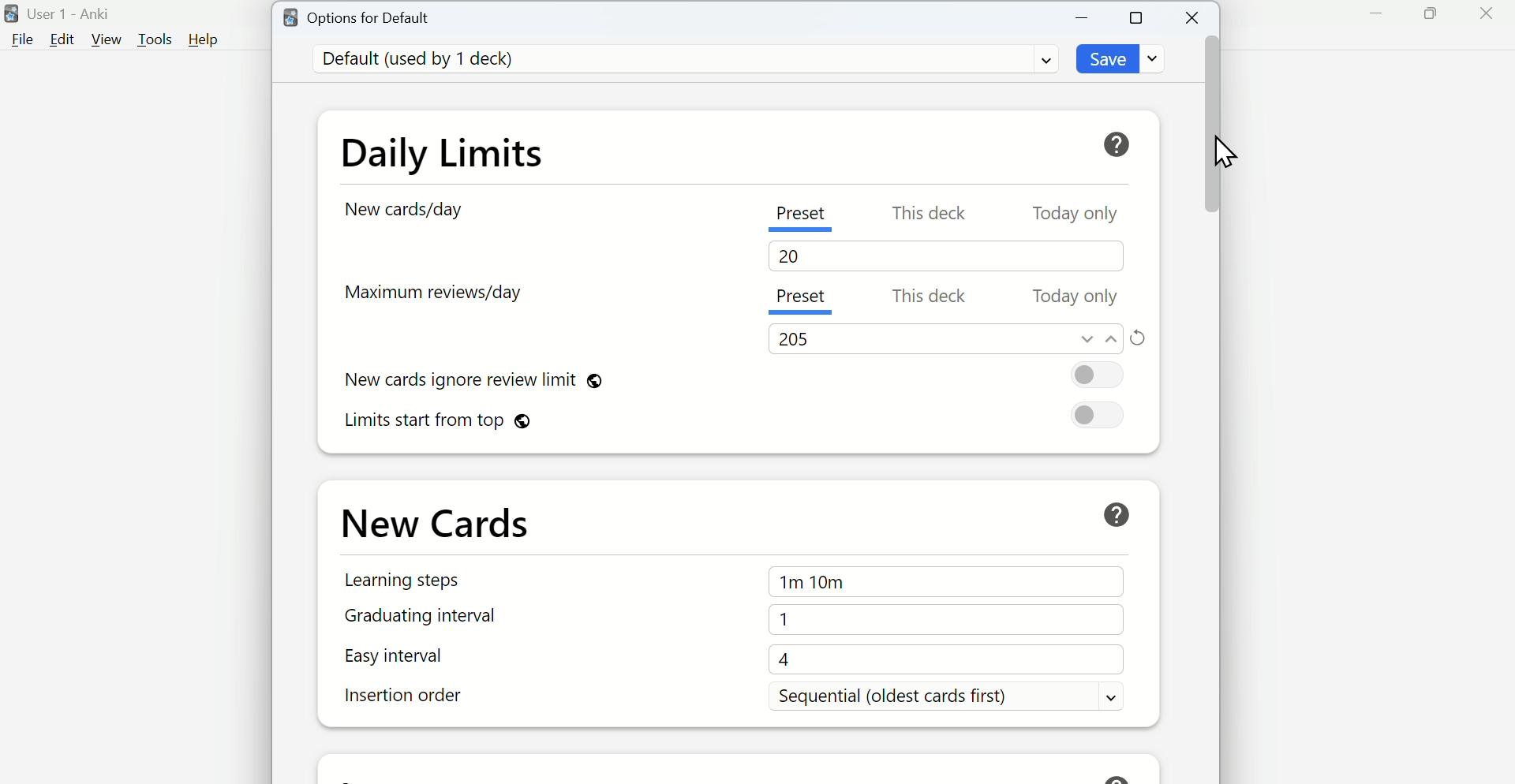 This screenshot has height=784, width=1515. I want to click on 20, so click(788, 256).